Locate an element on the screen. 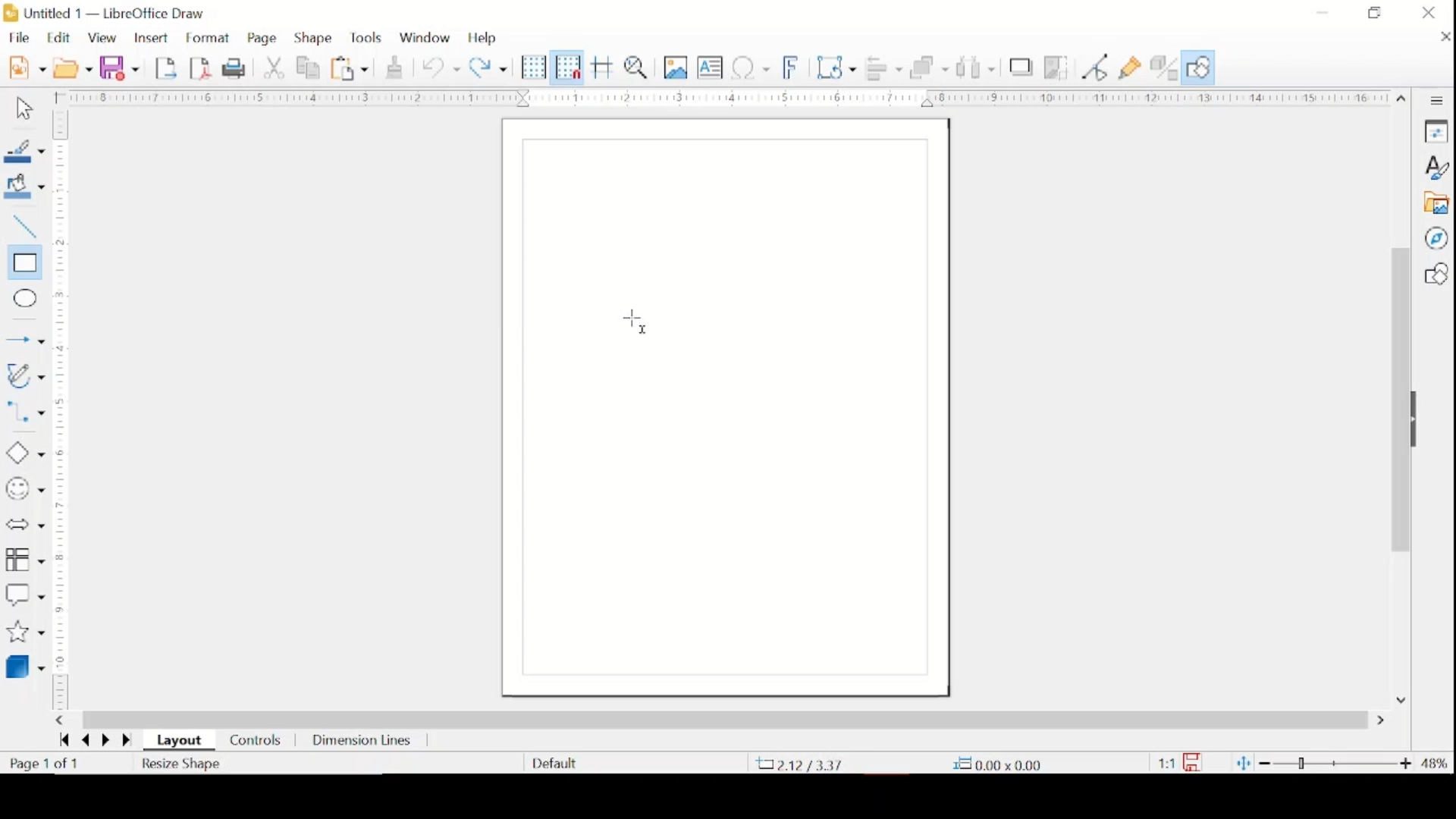  insert fontwork text is located at coordinates (792, 66).